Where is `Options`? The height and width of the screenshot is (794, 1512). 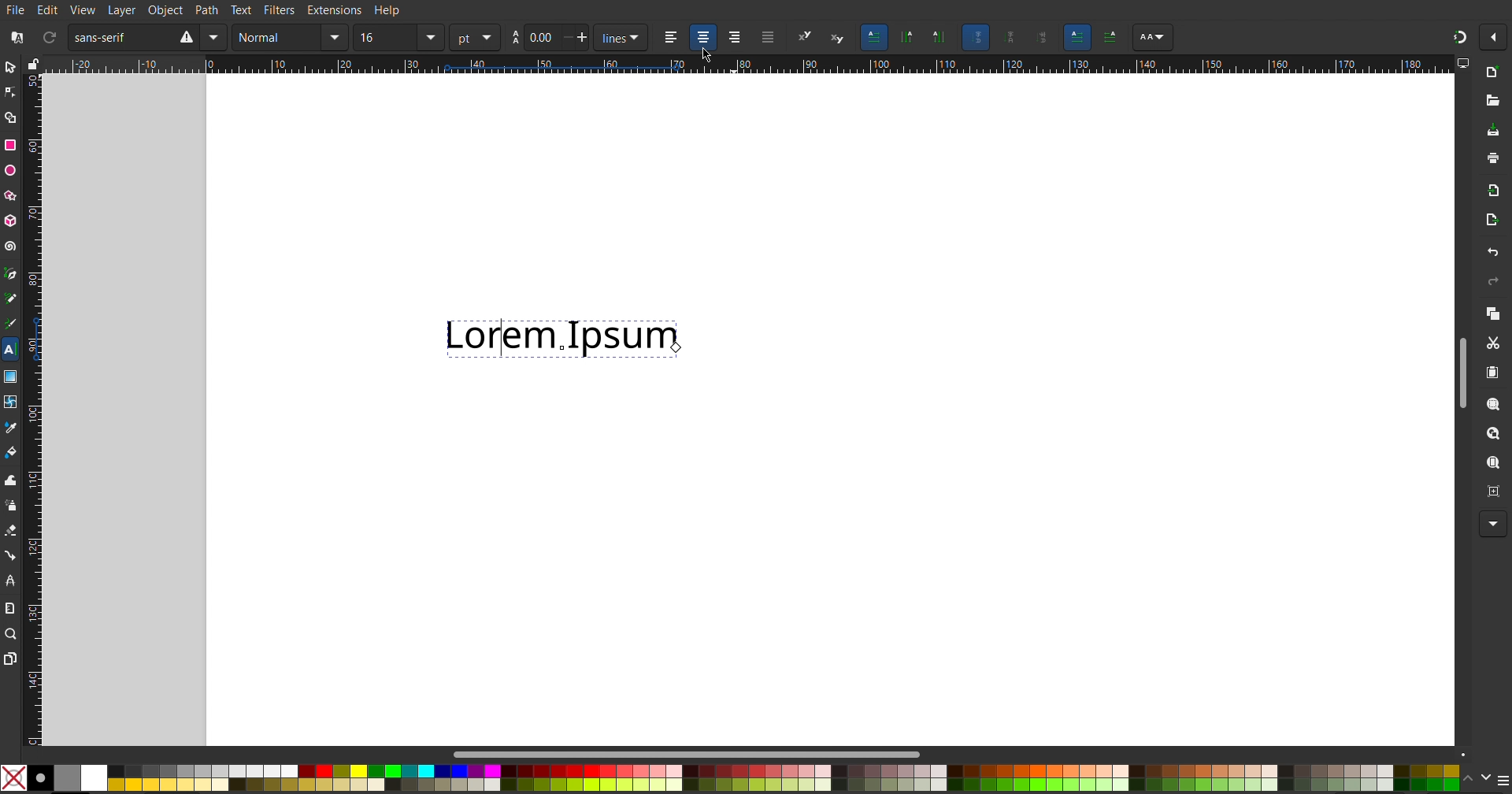 Options is located at coordinates (1493, 35).